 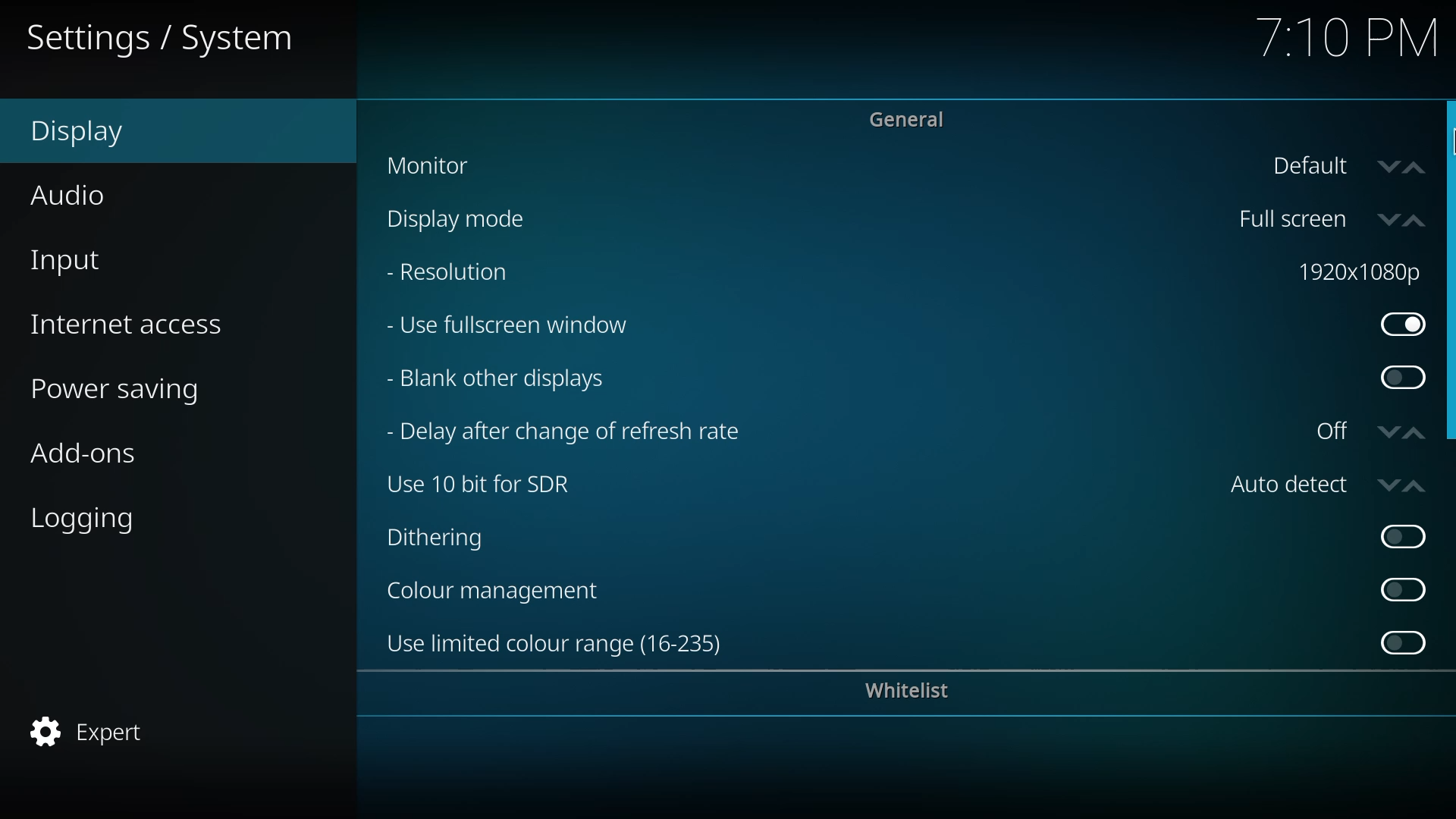 What do you see at coordinates (500, 324) in the screenshot?
I see `use fullscreen window` at bounding box center [500, 324].